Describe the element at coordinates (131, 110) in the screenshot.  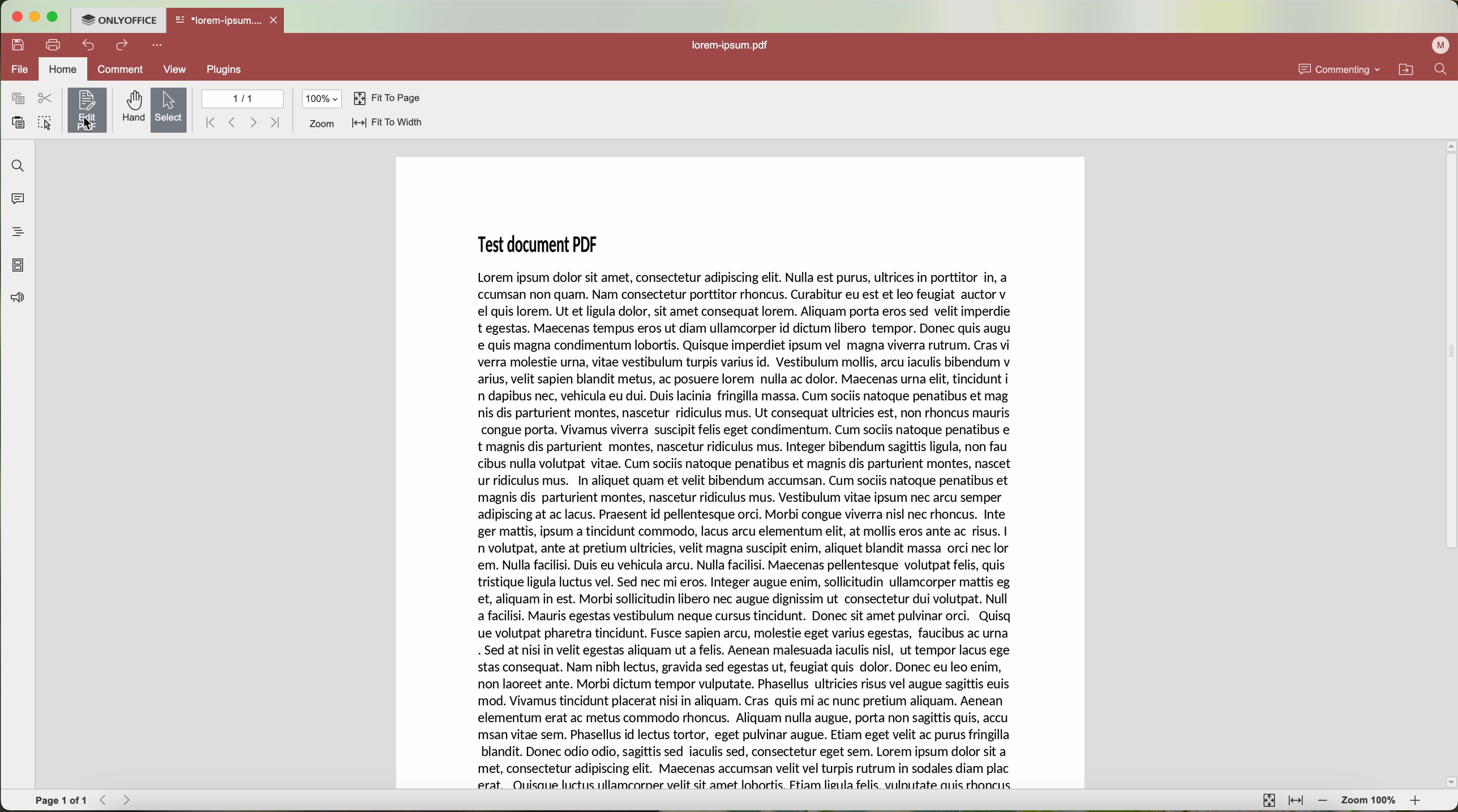
I see `hand` at that location.